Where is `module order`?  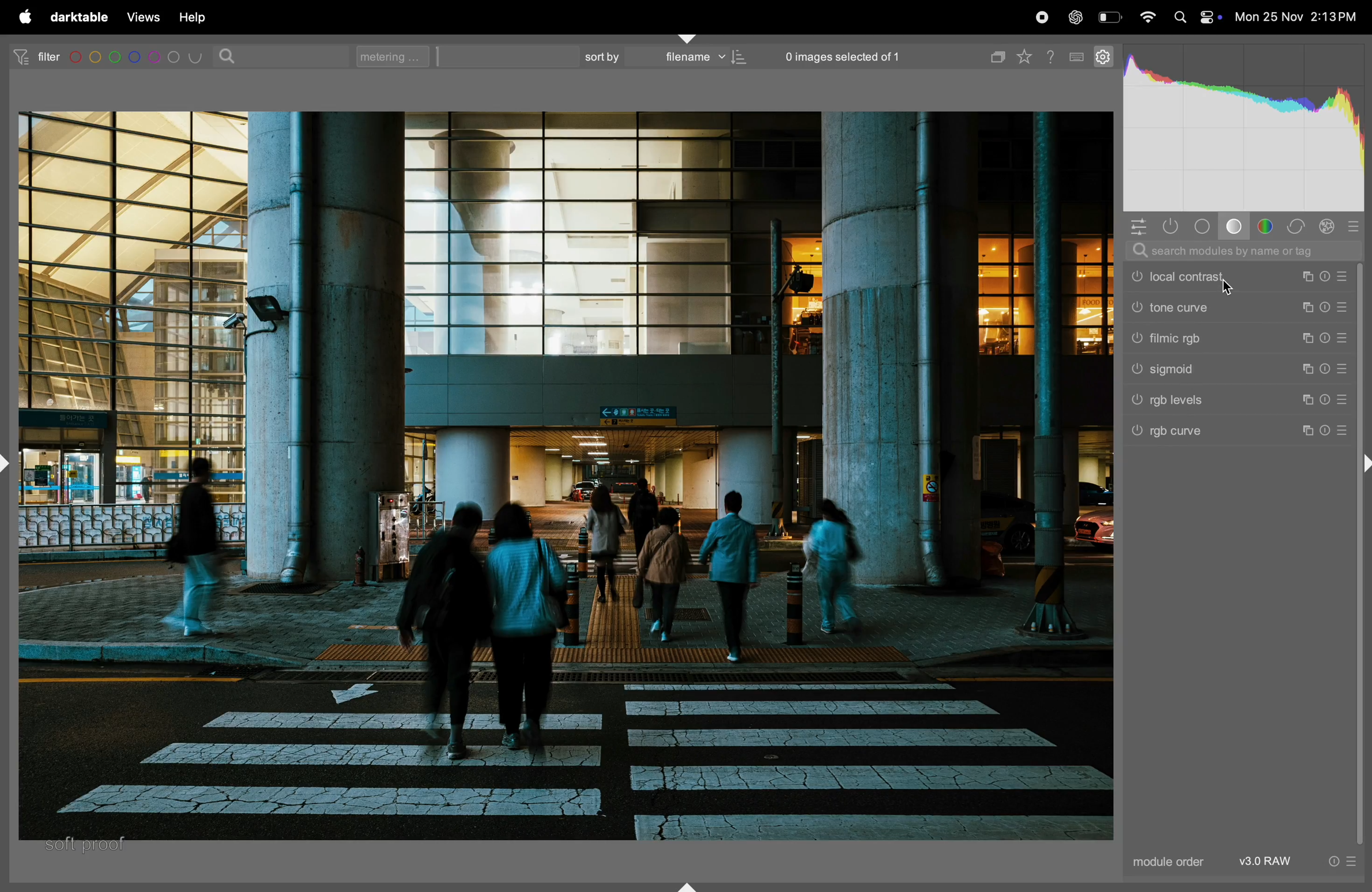
module order is located at coordinates (1170, 862).